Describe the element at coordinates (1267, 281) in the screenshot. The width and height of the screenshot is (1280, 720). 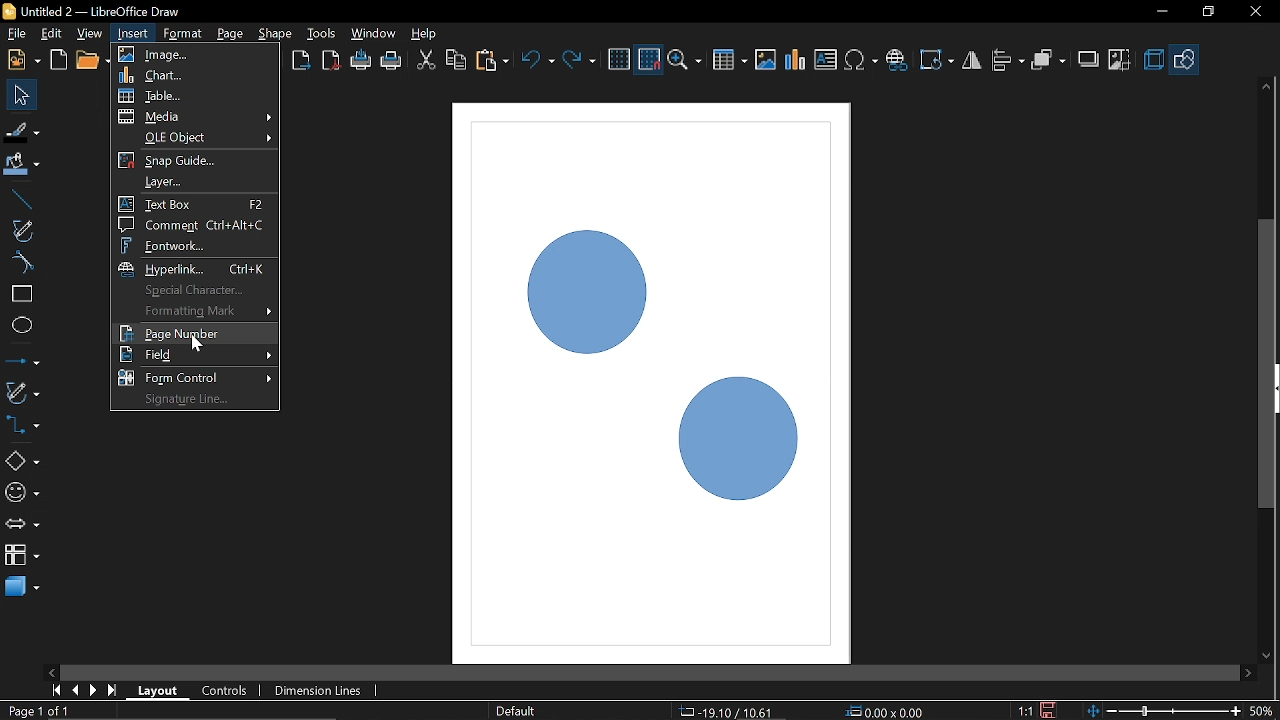
I see `vertical scrollbar` at that location.